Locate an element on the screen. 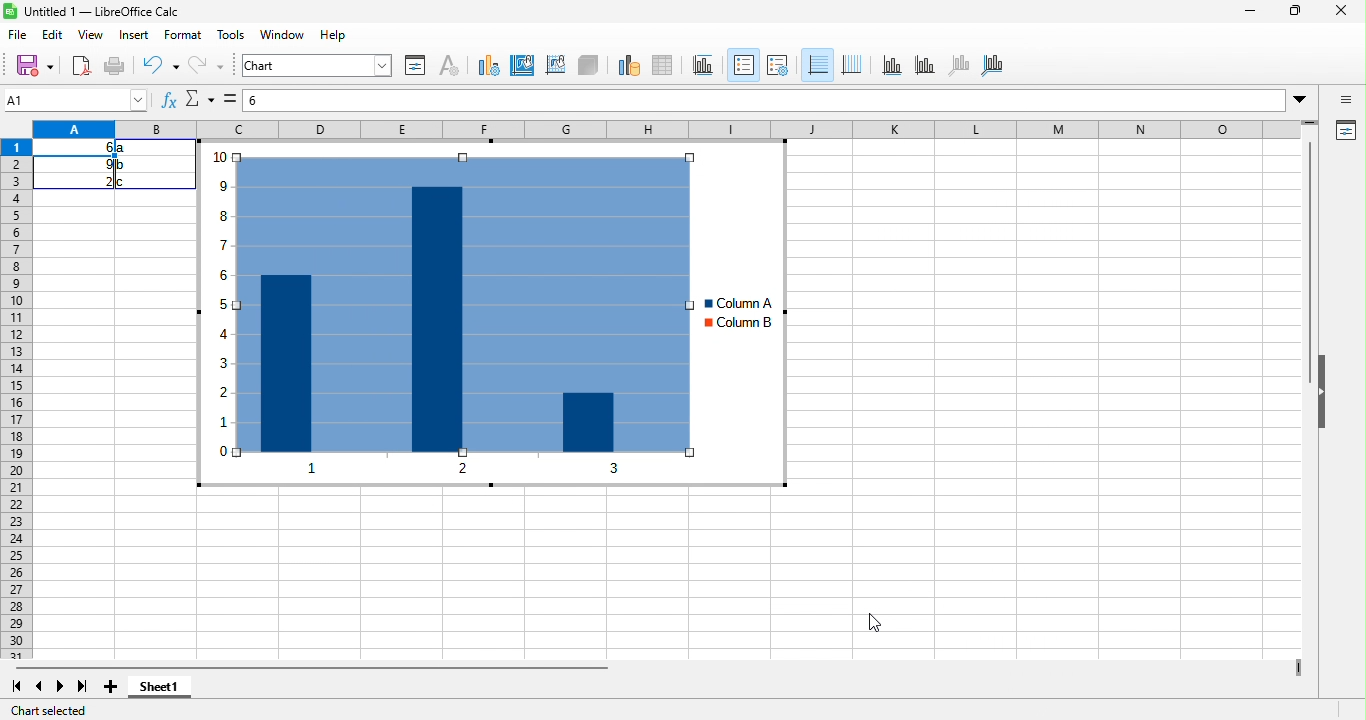 The width and height of the screenshot is (1366, 720). chart wall is located at coordinates (556, 66).